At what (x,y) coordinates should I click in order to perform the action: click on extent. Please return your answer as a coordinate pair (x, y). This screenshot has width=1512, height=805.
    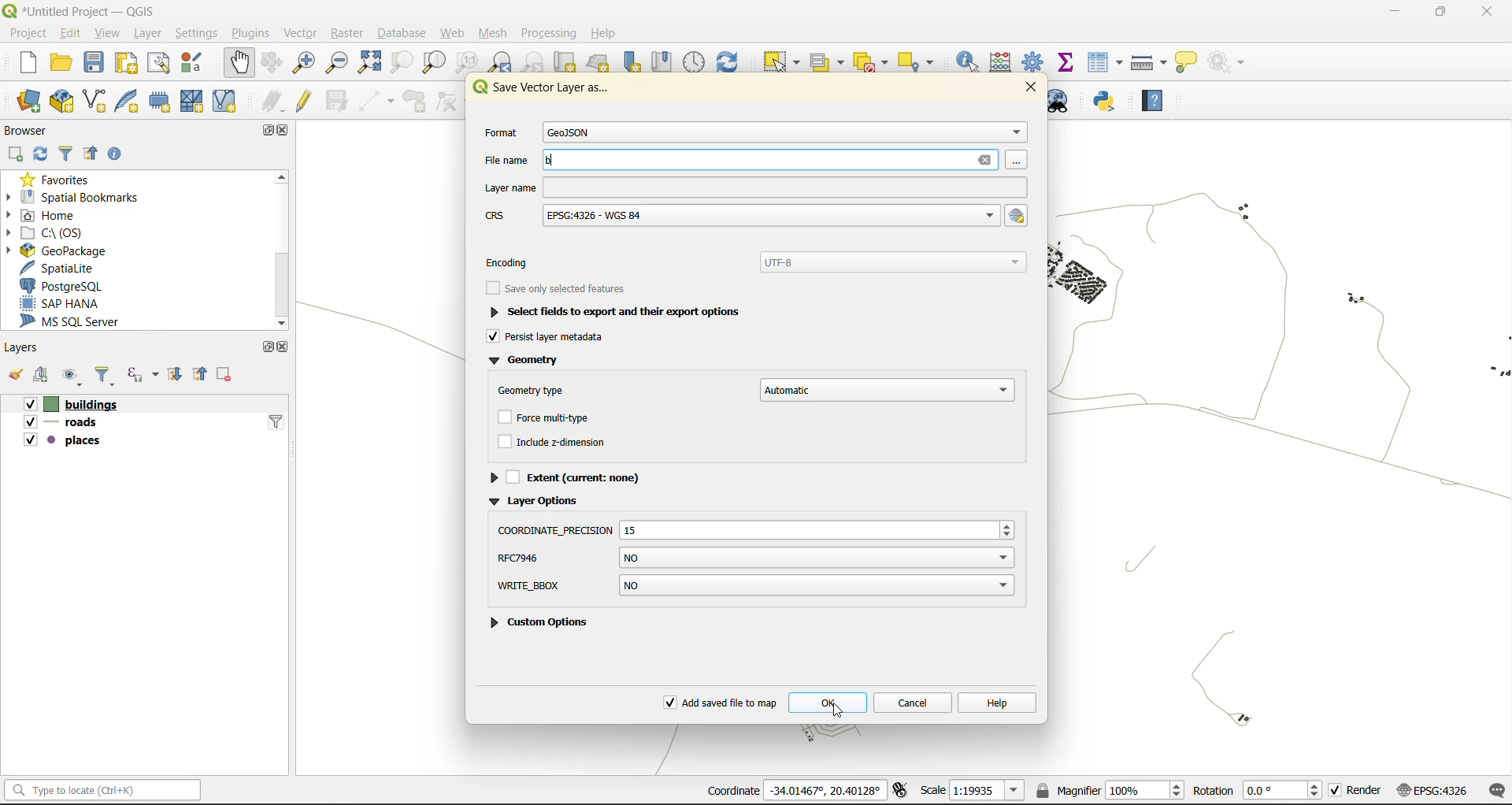
    Looking at the image, I should click on (575, 476).